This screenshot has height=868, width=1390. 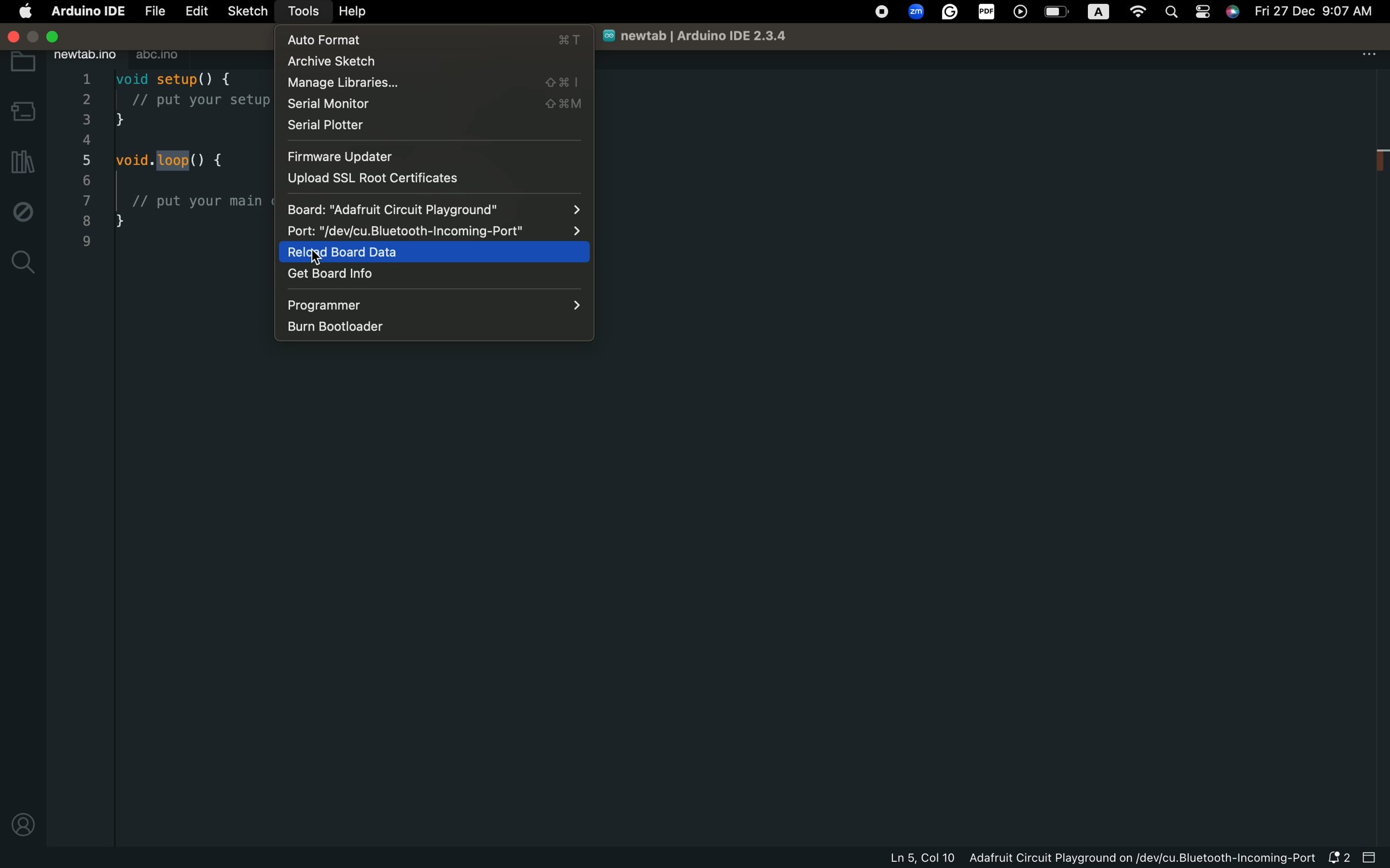 What do you see at coordinates (1144, 858) in the screenshot?
I see `Adafruit Circuit Playground on/dev/cu.Bluetooth-Incoming-Port` at bounding box center [1144, 858].